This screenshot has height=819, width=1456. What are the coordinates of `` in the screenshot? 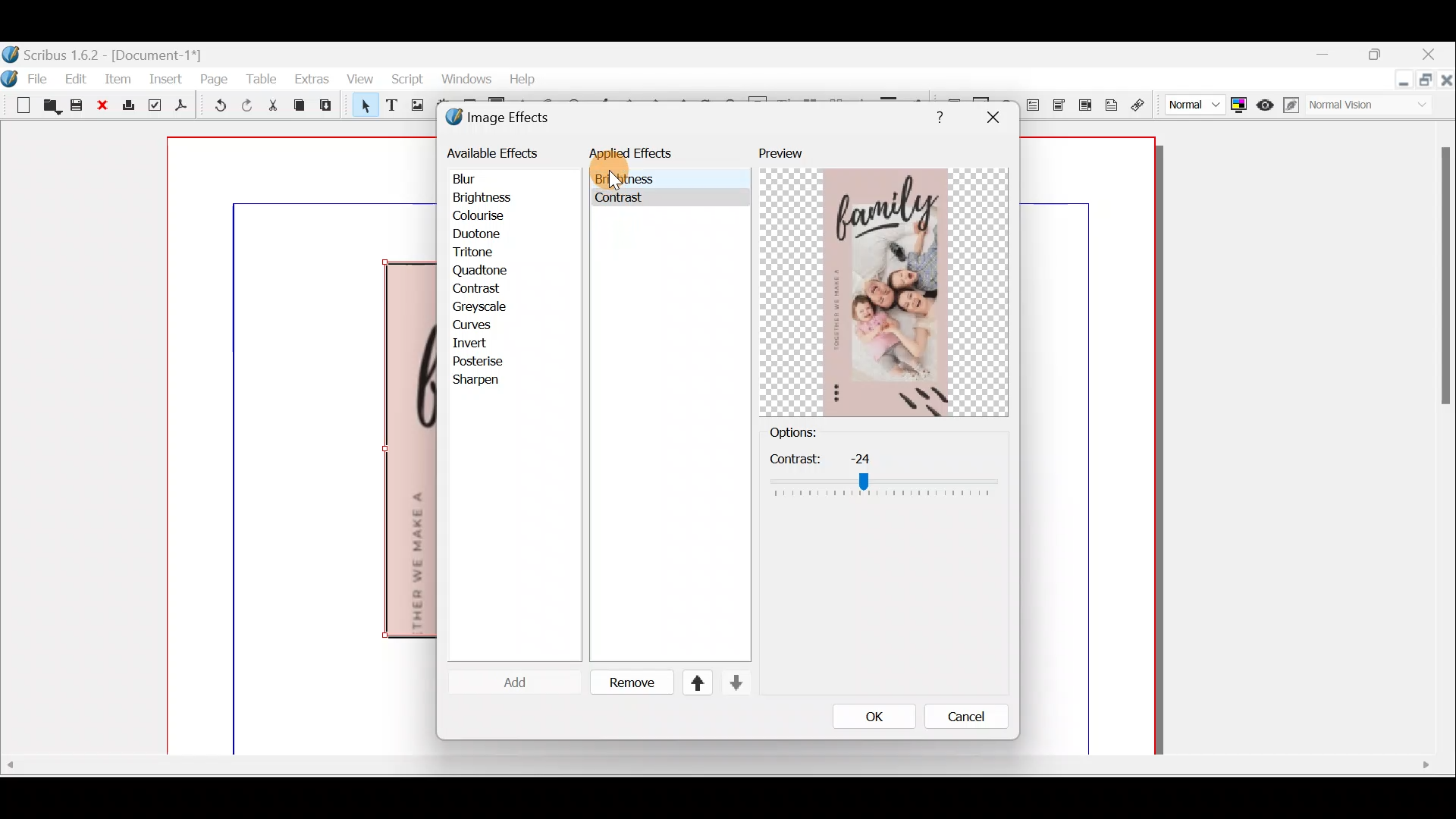 It's located at (1442, 283).